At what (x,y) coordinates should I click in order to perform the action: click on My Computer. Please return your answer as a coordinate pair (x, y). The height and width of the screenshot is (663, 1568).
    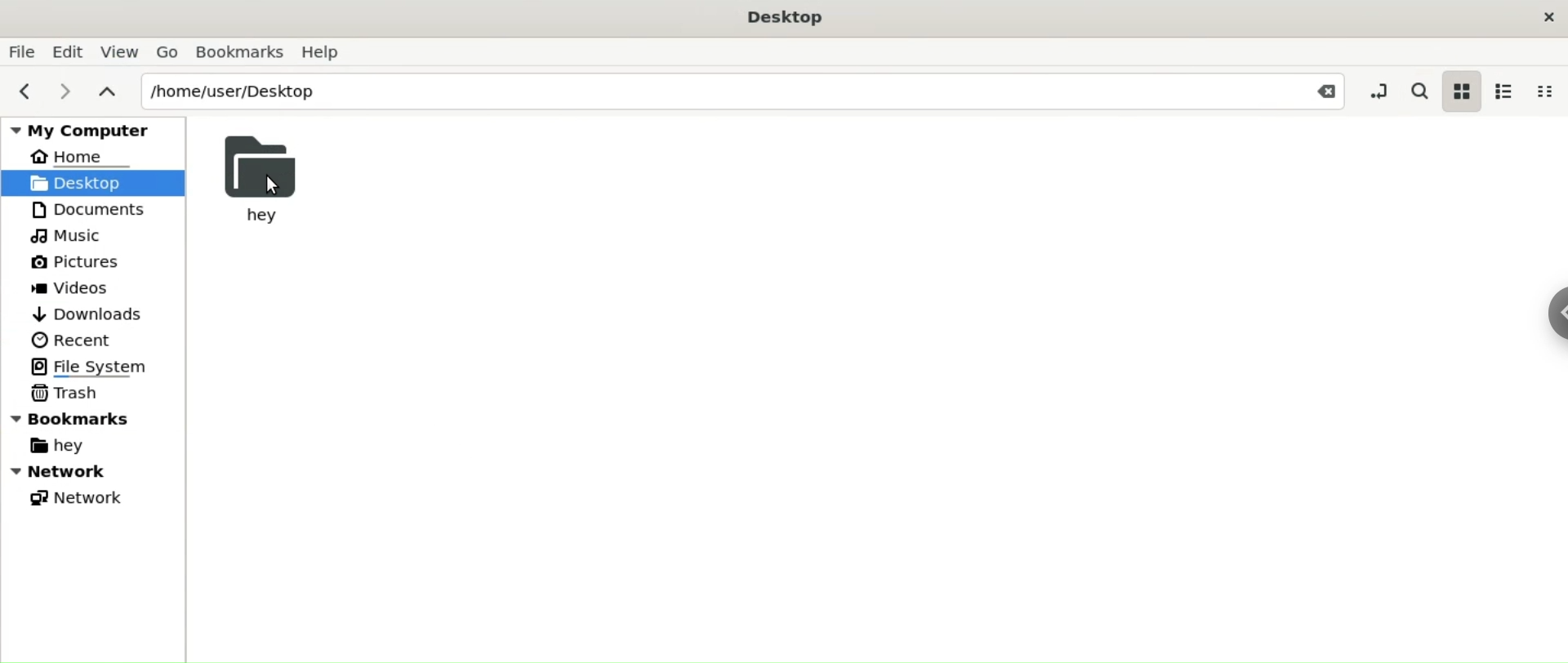
    Looking at the image, I should click on (89, 127).